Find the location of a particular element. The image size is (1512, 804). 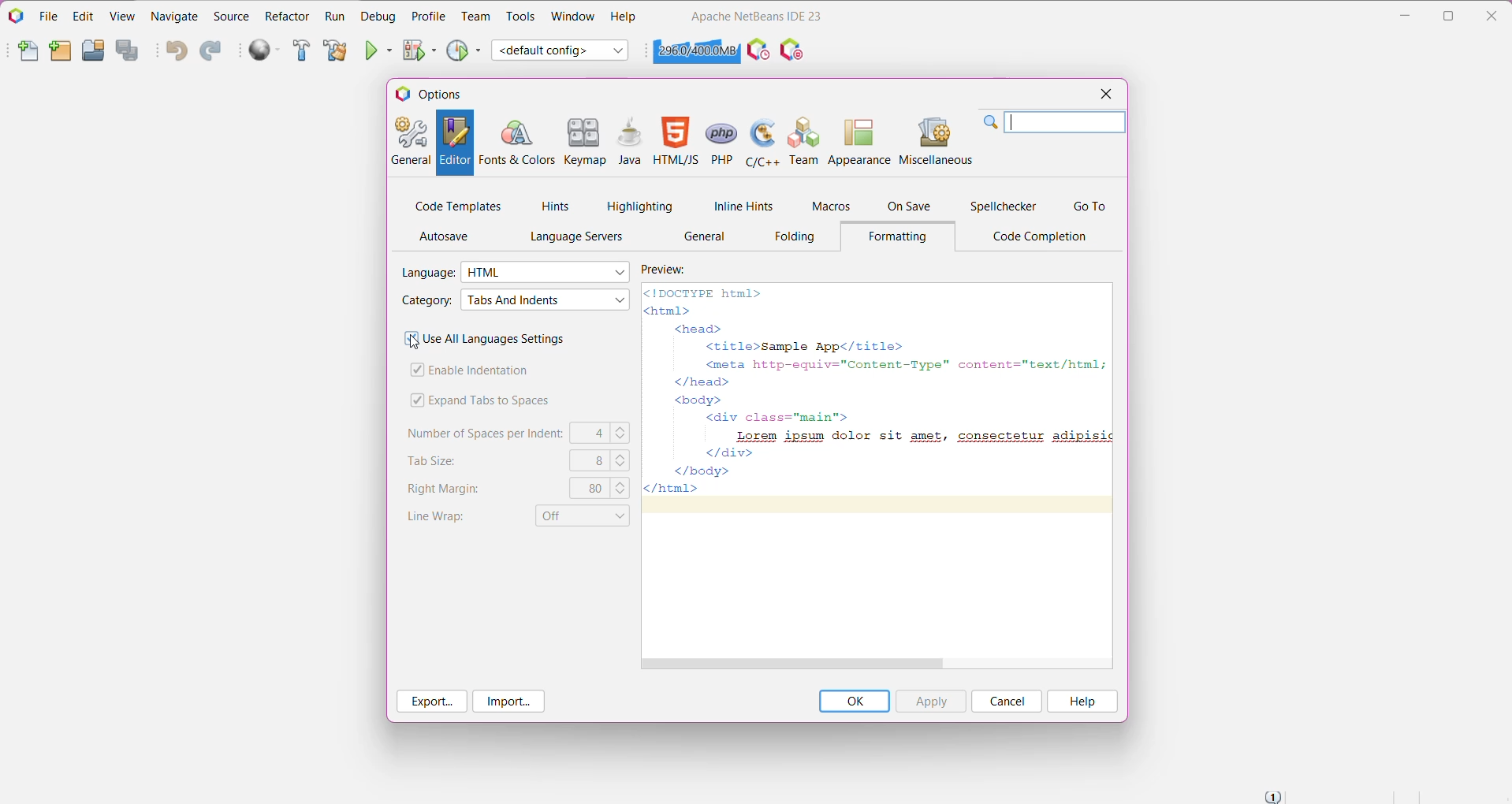

C/C++ is located at coordinates (762, 141).